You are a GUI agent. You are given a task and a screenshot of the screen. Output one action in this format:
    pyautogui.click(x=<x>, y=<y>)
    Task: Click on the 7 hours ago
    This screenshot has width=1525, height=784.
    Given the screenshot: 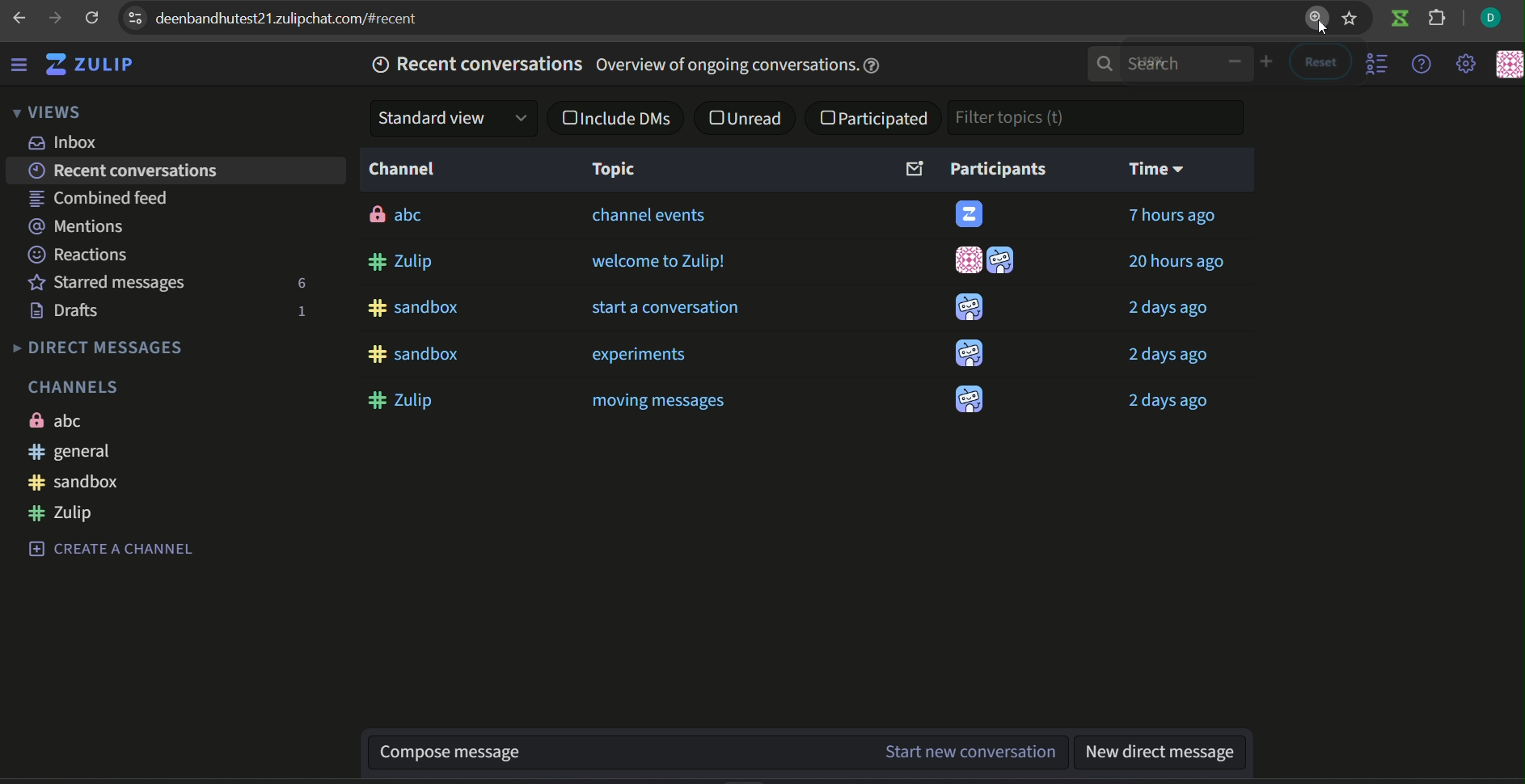 What is the action you would take?
    pyautogui.click(x=1172, y=216)
    